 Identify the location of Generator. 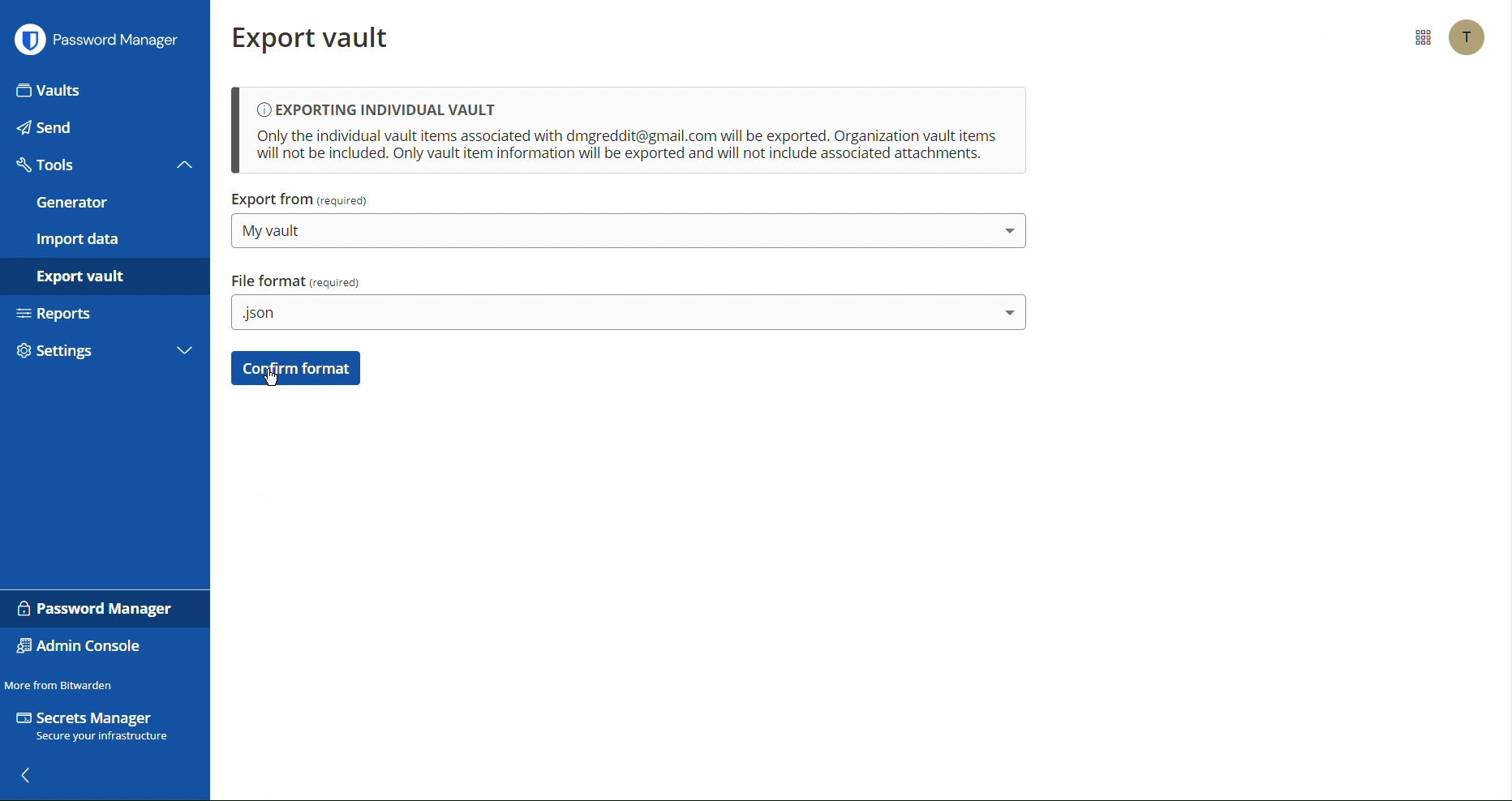
(101, 204).